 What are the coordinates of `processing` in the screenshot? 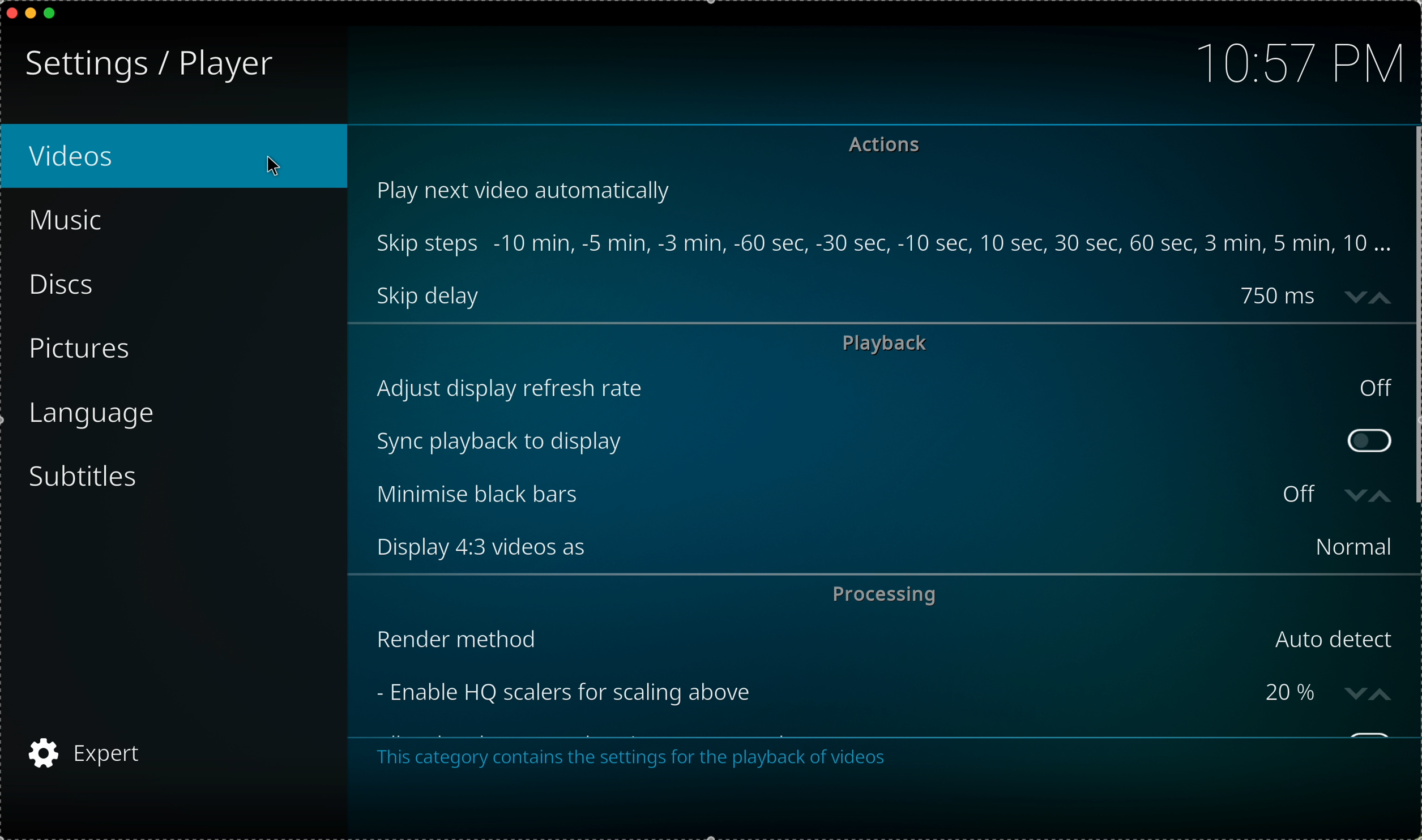 It's located at (883, 594).